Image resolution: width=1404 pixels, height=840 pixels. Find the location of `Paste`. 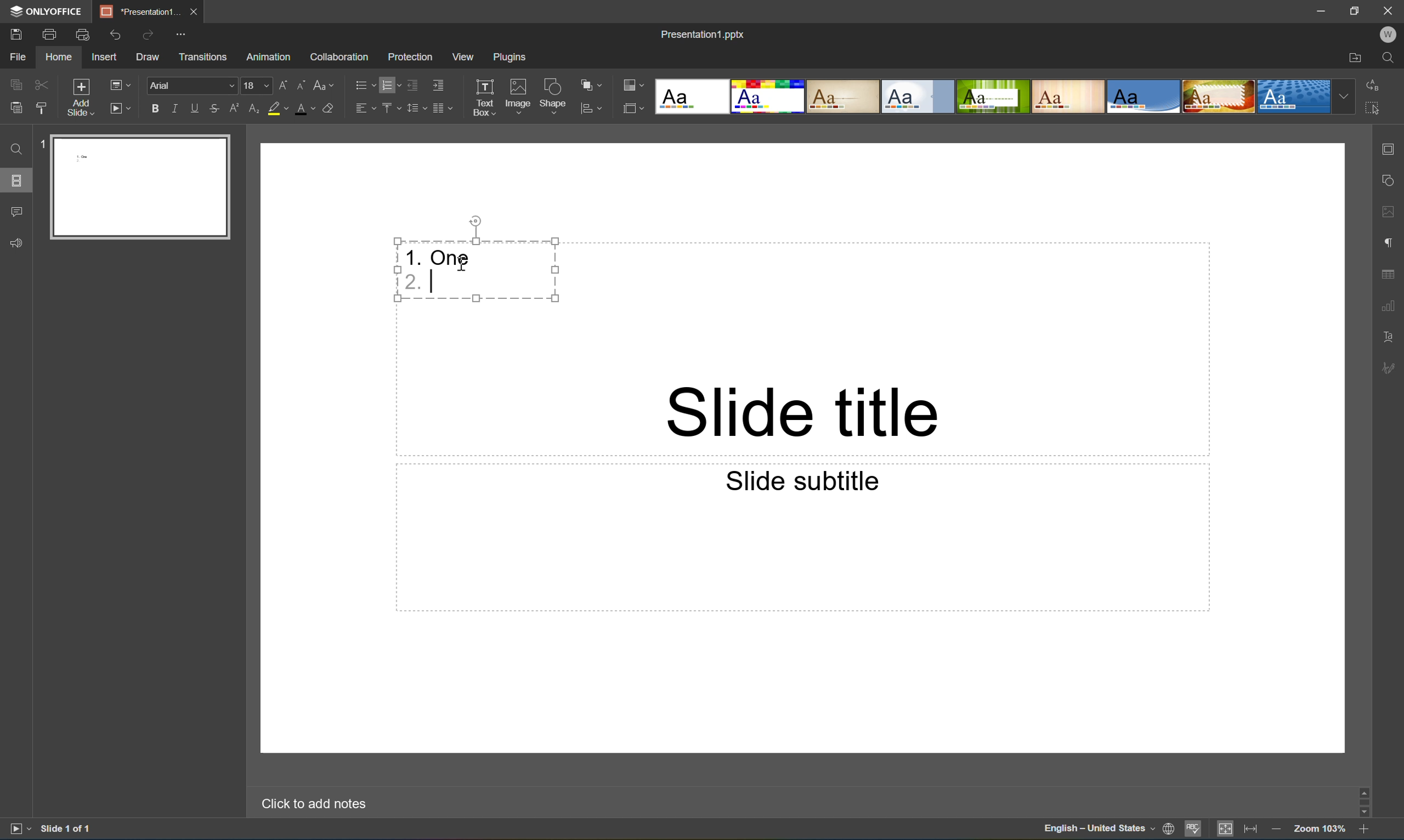

Paste is located at coordinates (16, 108).